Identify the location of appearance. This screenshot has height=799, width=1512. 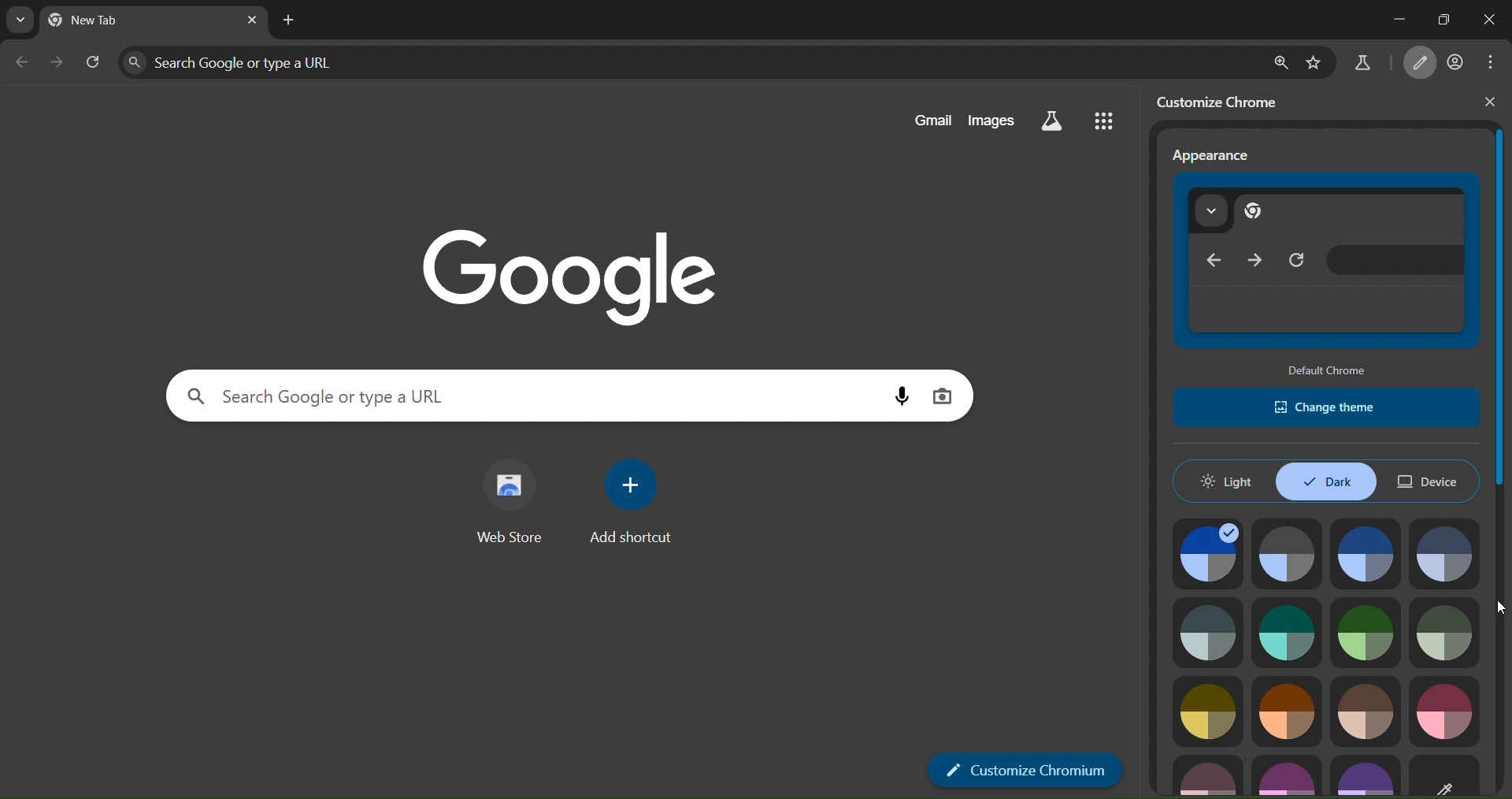
(1213, 154).